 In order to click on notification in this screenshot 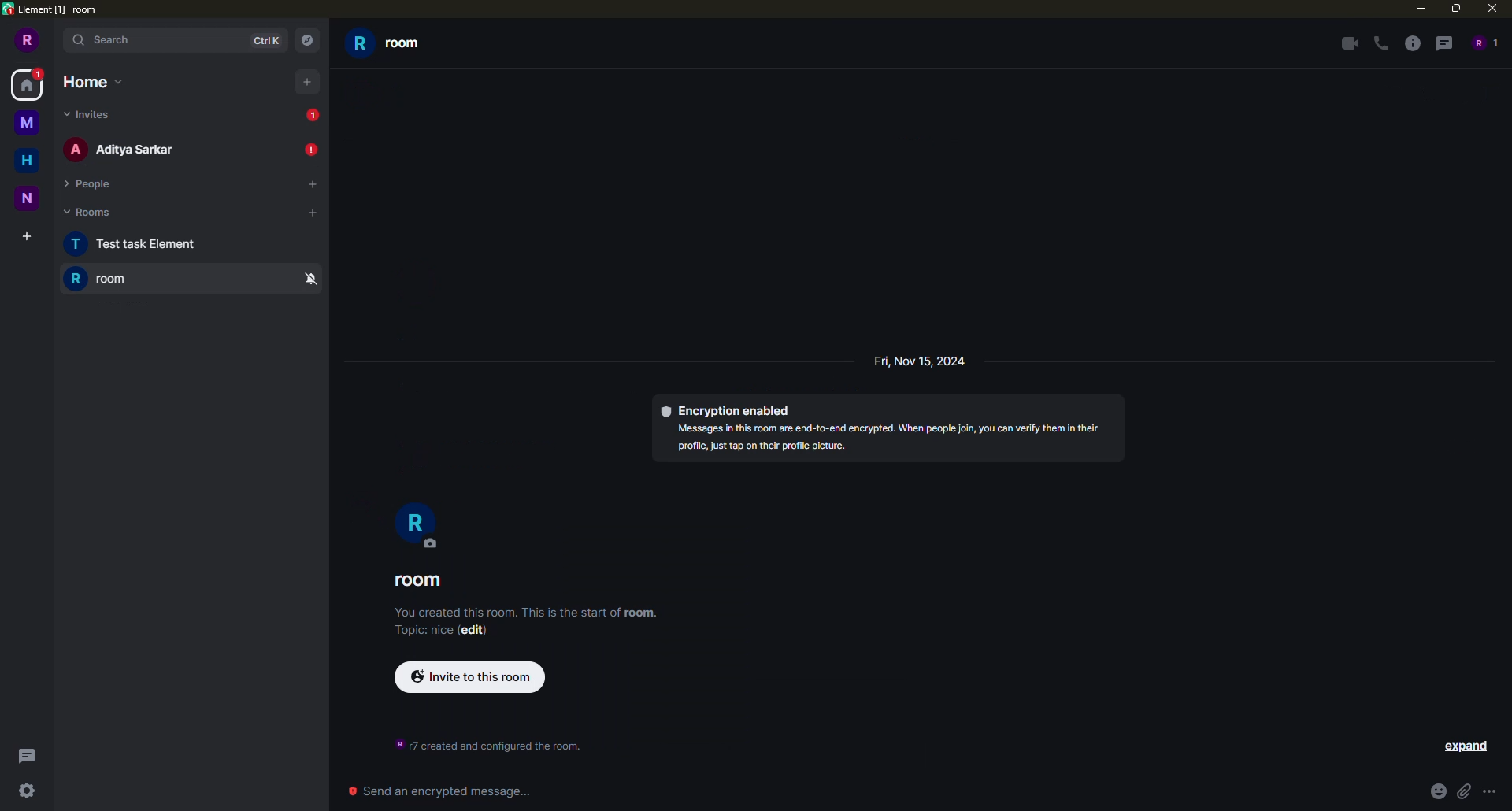, I will do `click(307, 150)`.